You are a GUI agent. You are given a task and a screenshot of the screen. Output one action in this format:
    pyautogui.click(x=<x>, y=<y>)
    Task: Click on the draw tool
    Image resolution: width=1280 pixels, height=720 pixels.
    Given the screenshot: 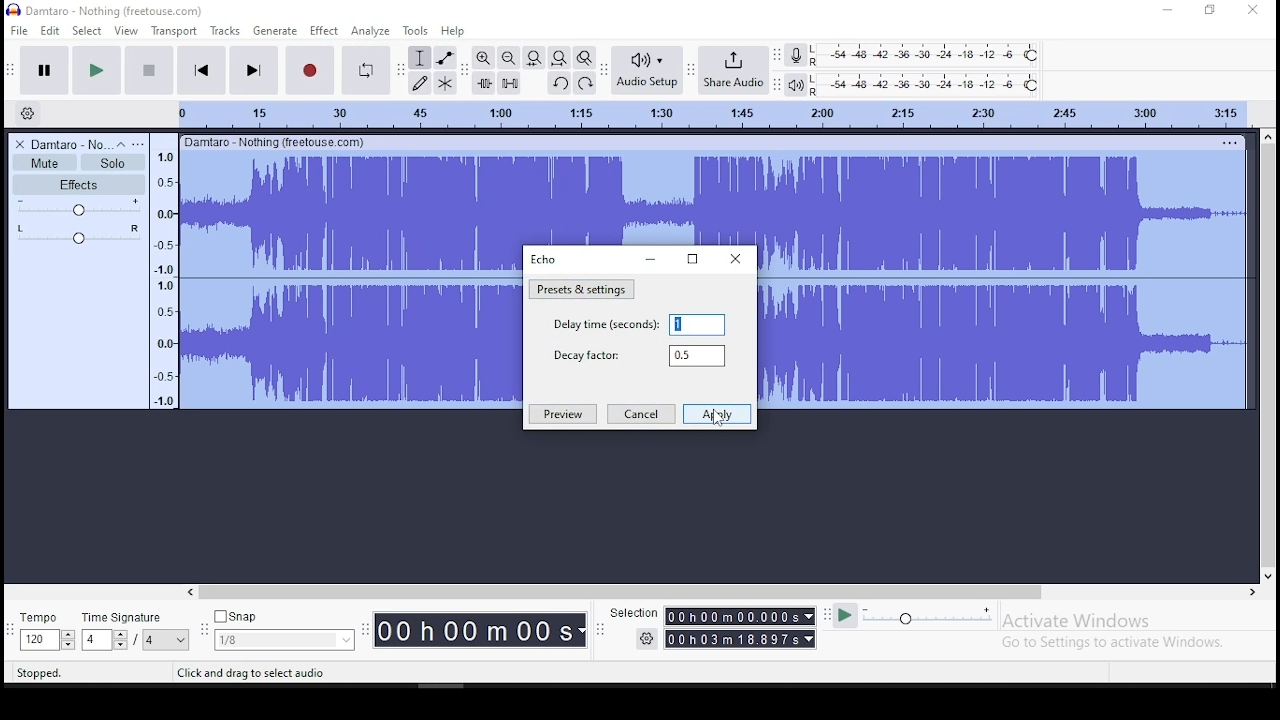 What is the action you would take?
    pyautogui.click(x=420, y=83)
    